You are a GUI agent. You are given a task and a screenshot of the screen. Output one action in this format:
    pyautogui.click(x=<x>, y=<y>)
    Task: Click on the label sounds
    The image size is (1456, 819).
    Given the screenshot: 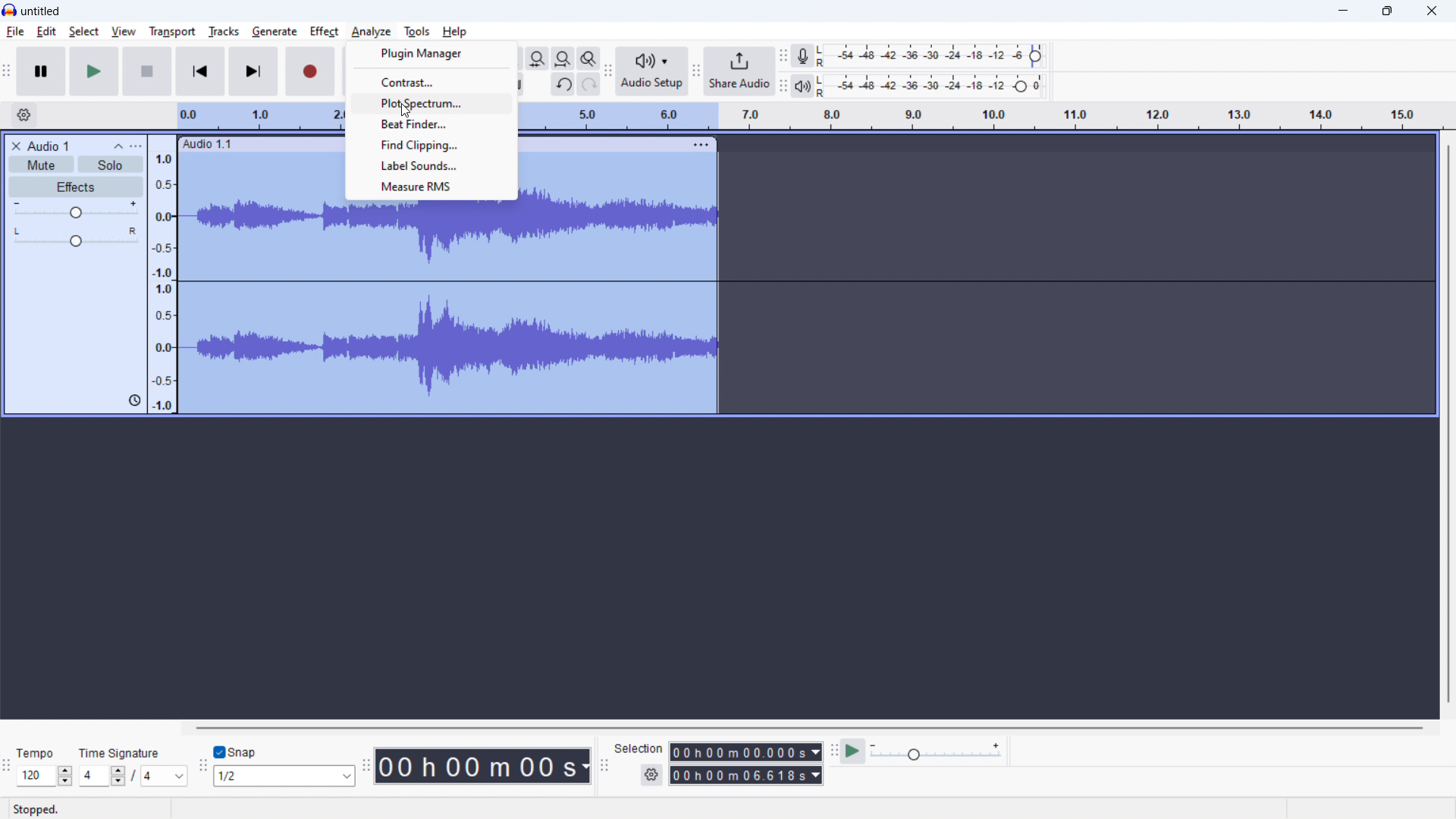 What is the action you would take?
    pyautogui.click(x=431, y=165)
    